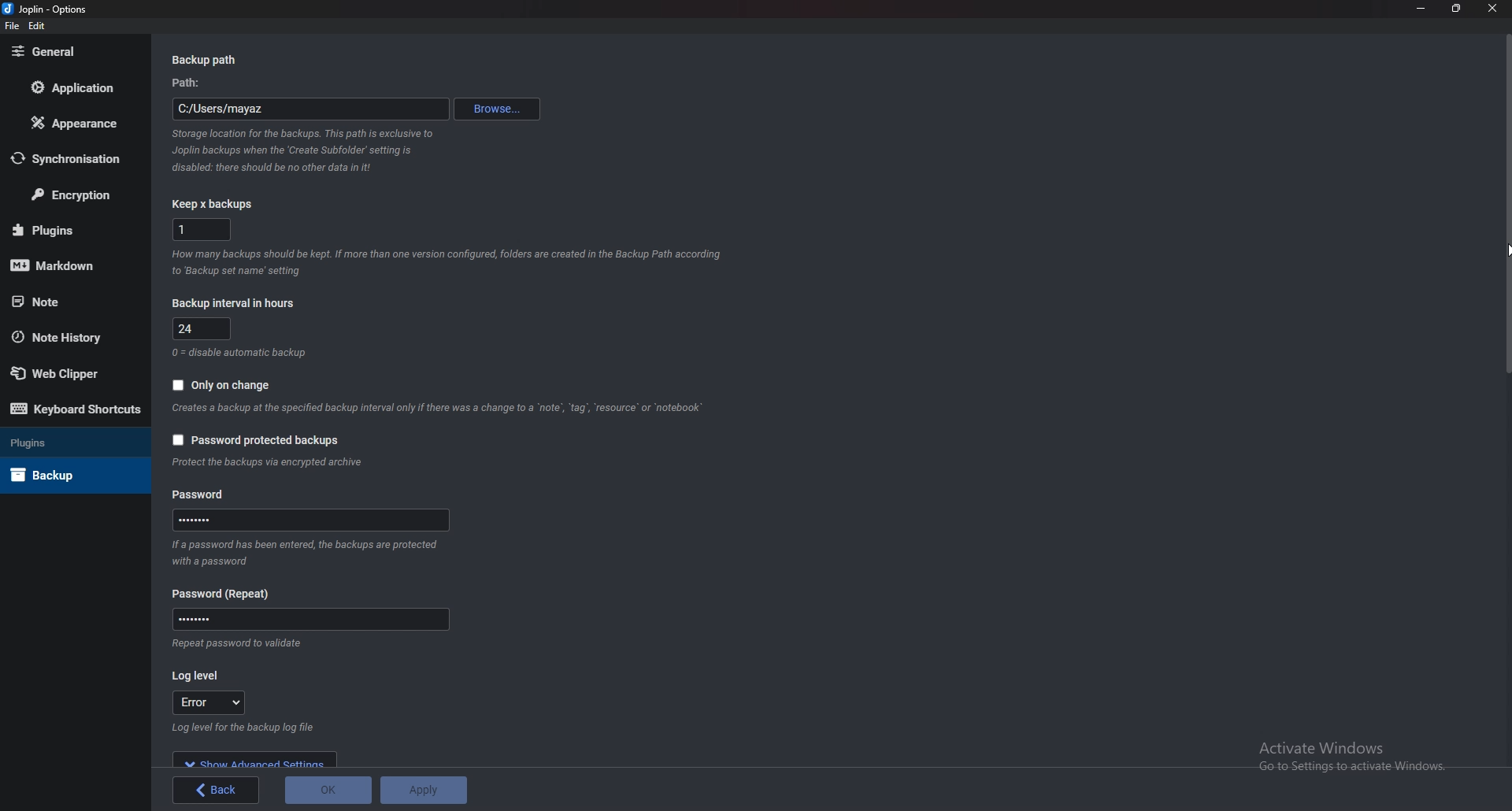 This screenshot has width=1512, height=811. I want to click on Synchronization, so click(71, 157).